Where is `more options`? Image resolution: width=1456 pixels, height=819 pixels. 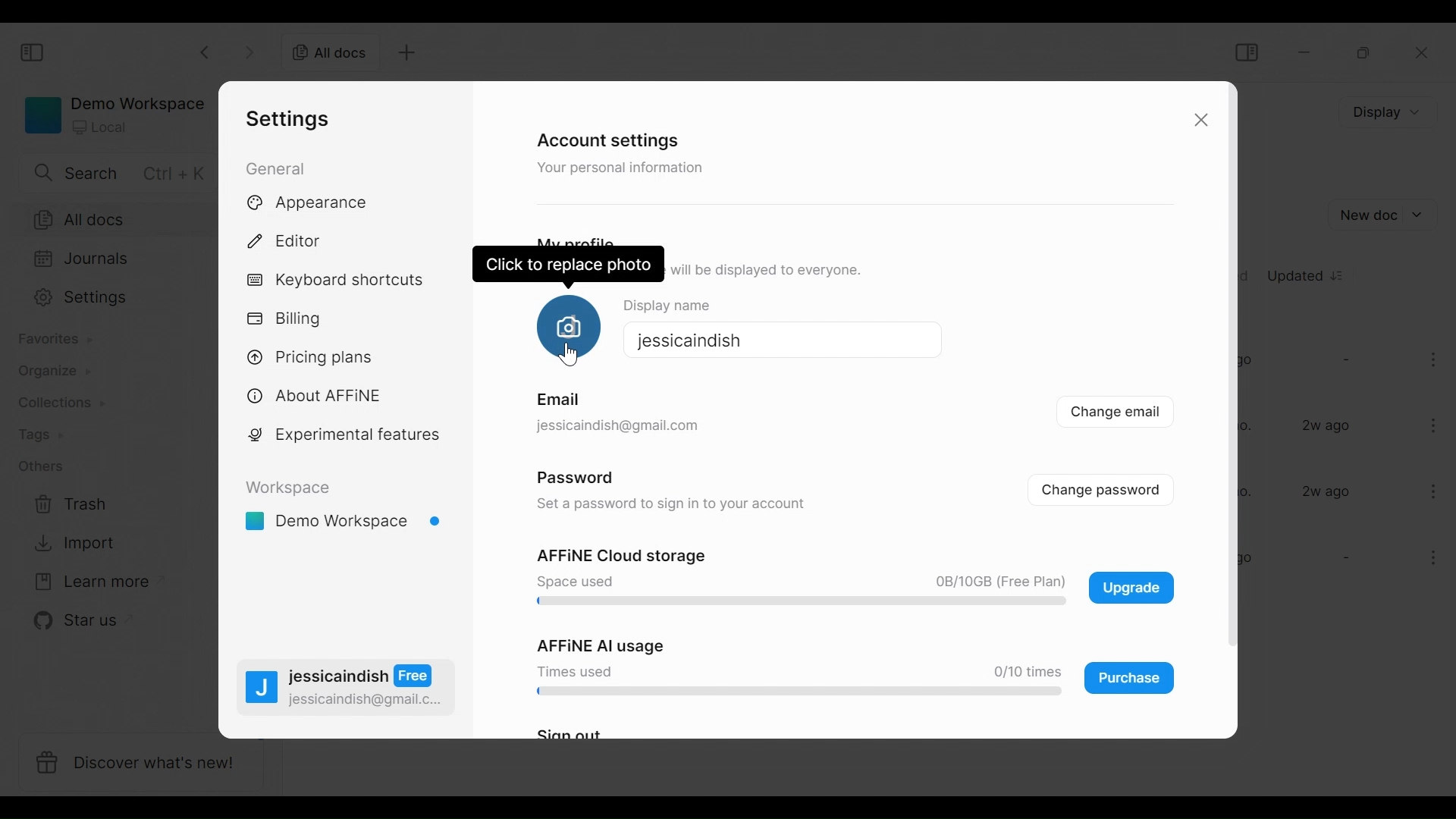 more options is located at coordinates (1436, 362).